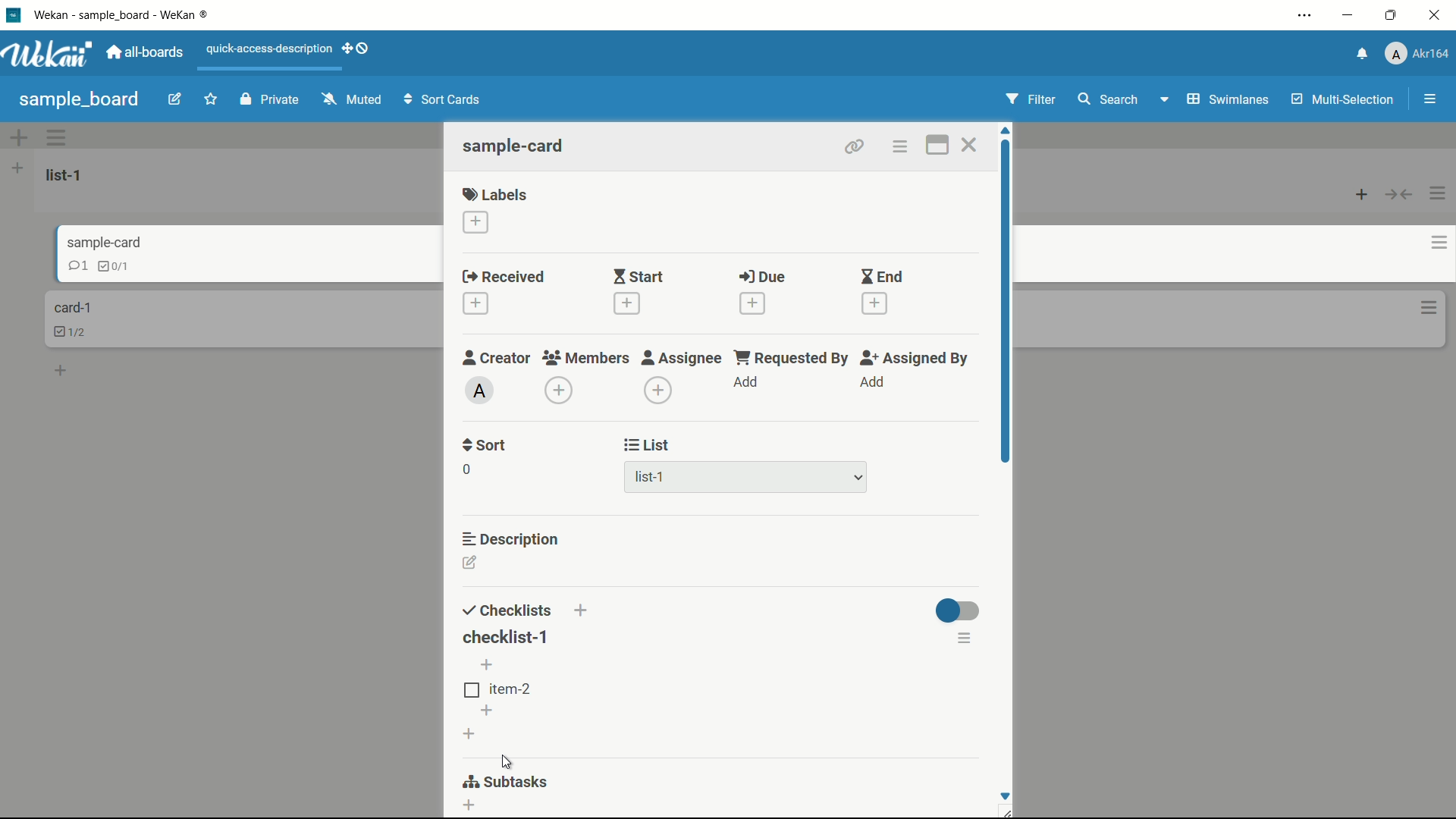  Describe the element at coordinates (1108, 99) in the screenshot. I see `search` at that location.